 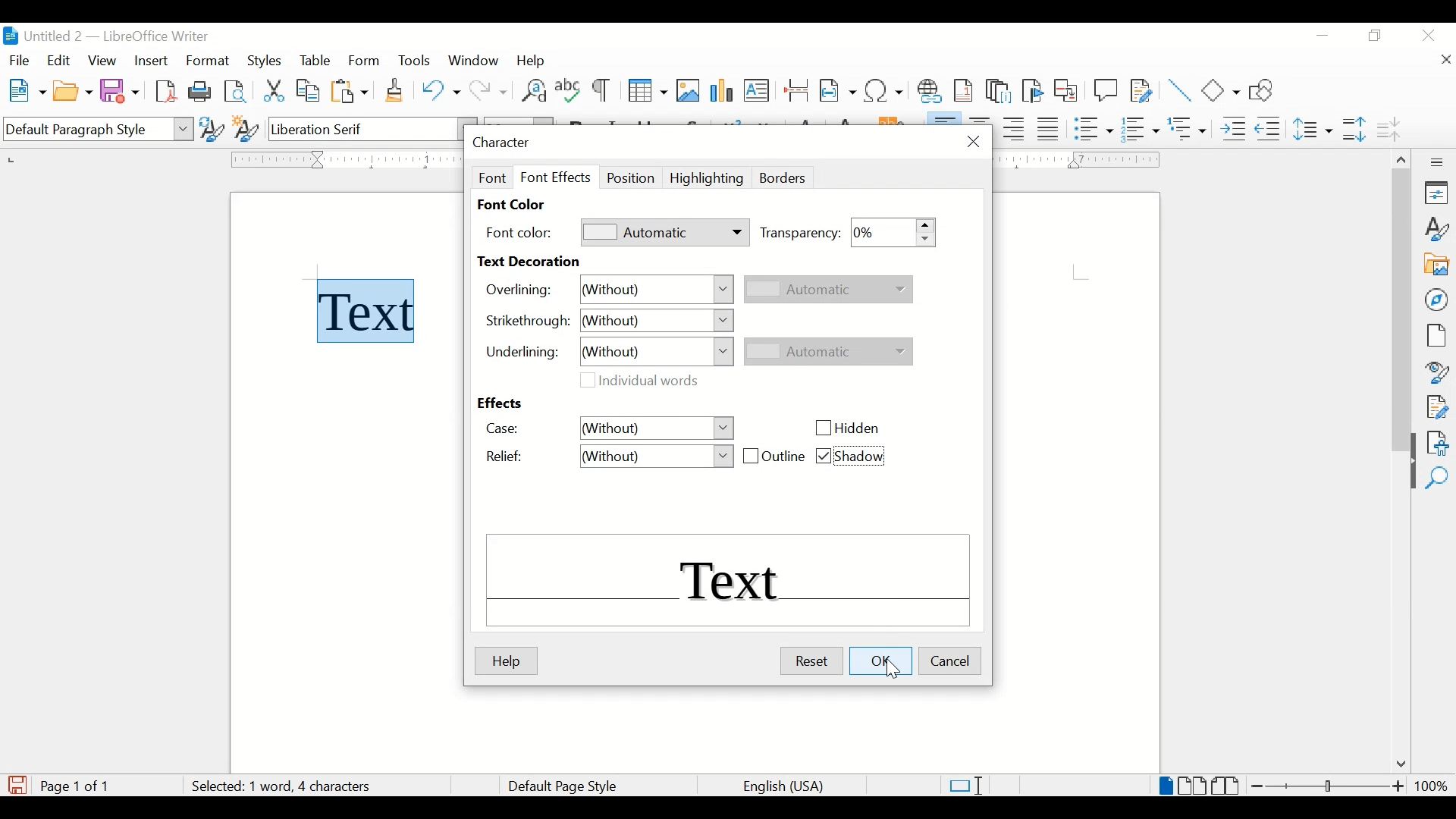 What do you see at coordinates (305, 787) in the screenshot?
I see `word count` at bounding box center [305, 787].